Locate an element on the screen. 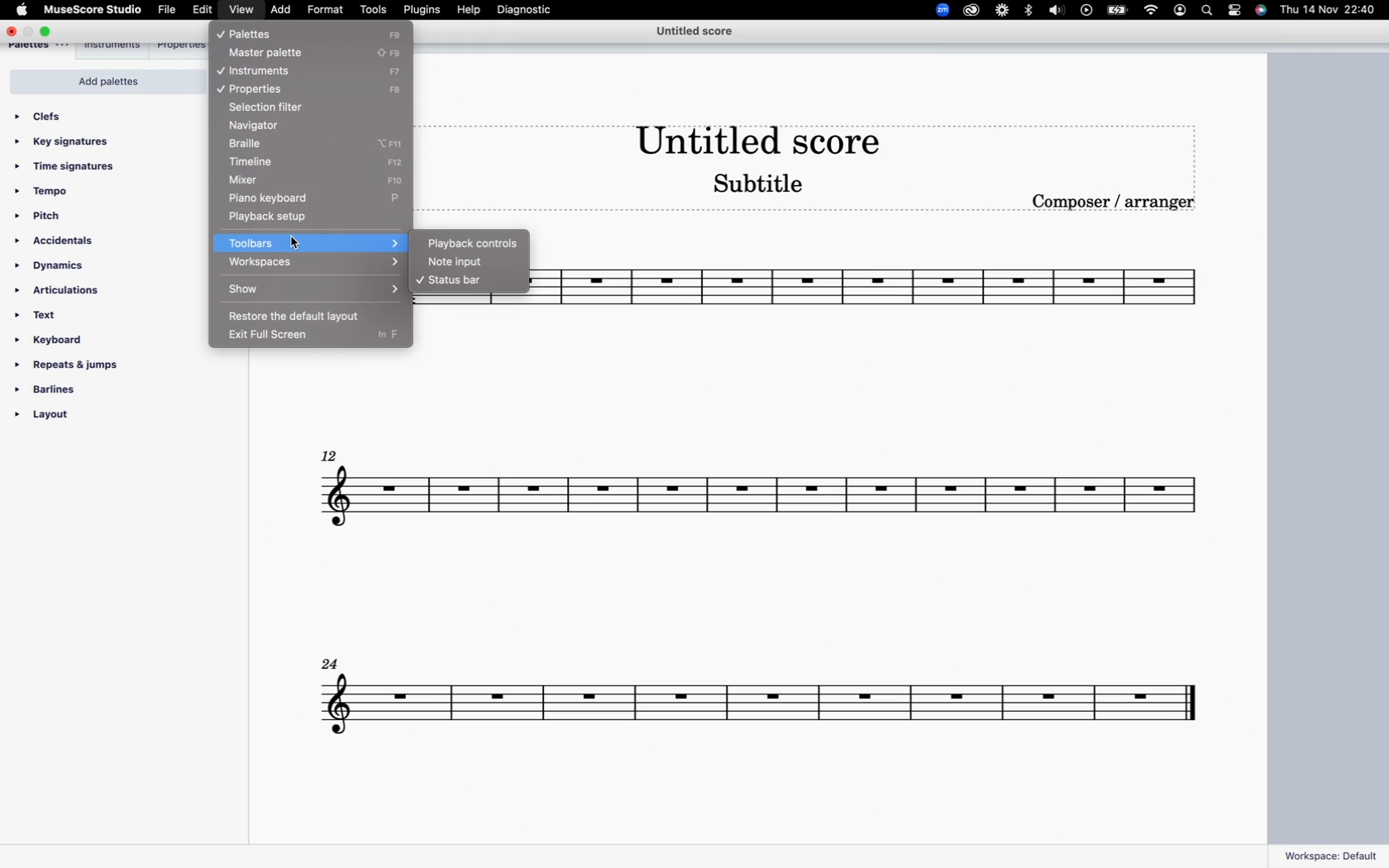 The image size is (1389, 868). add is located at coordinates (281, 10).